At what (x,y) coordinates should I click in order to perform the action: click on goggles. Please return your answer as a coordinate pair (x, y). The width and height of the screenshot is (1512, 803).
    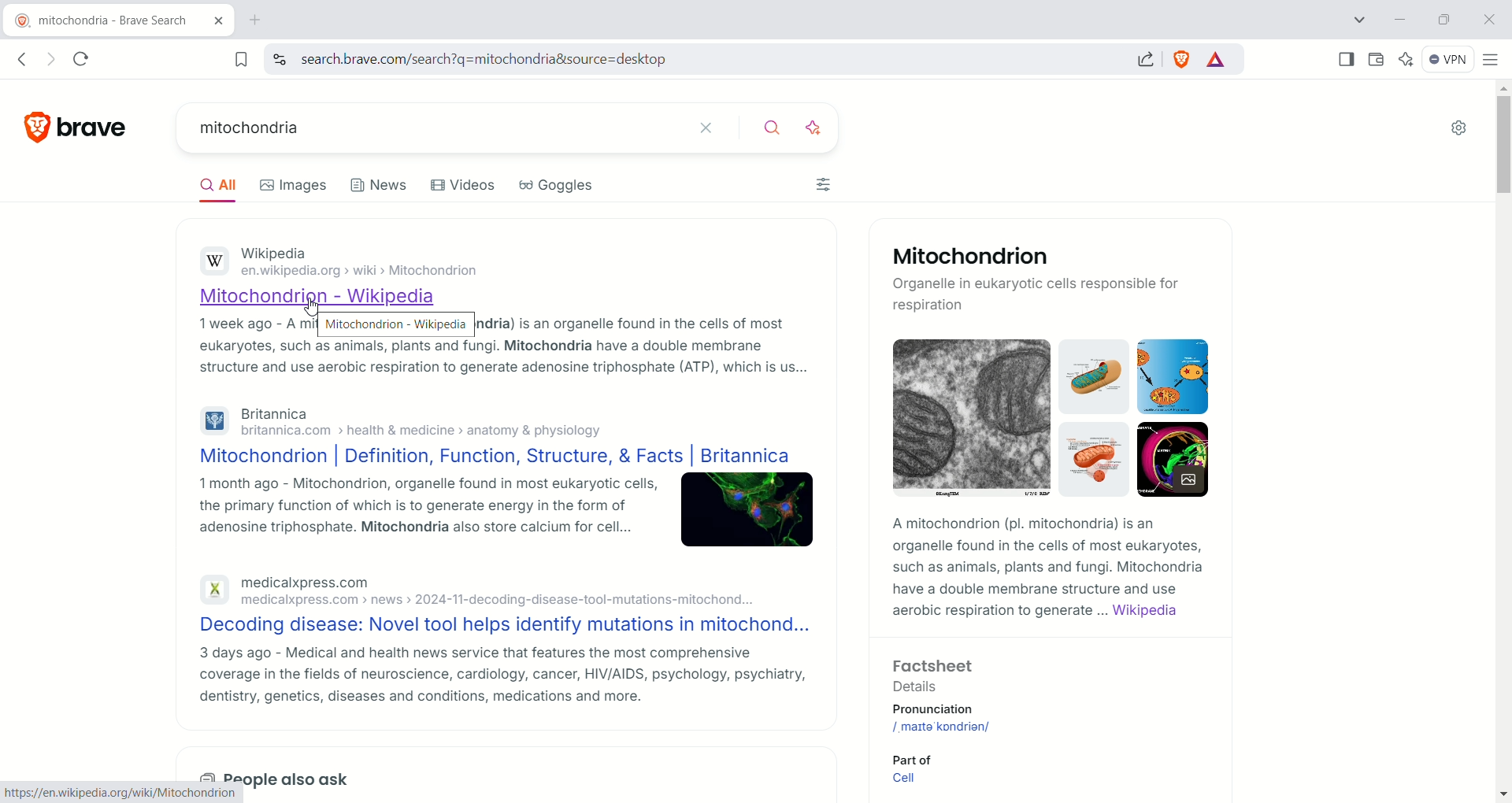
    Looking at the image, I should click on (557, 185).